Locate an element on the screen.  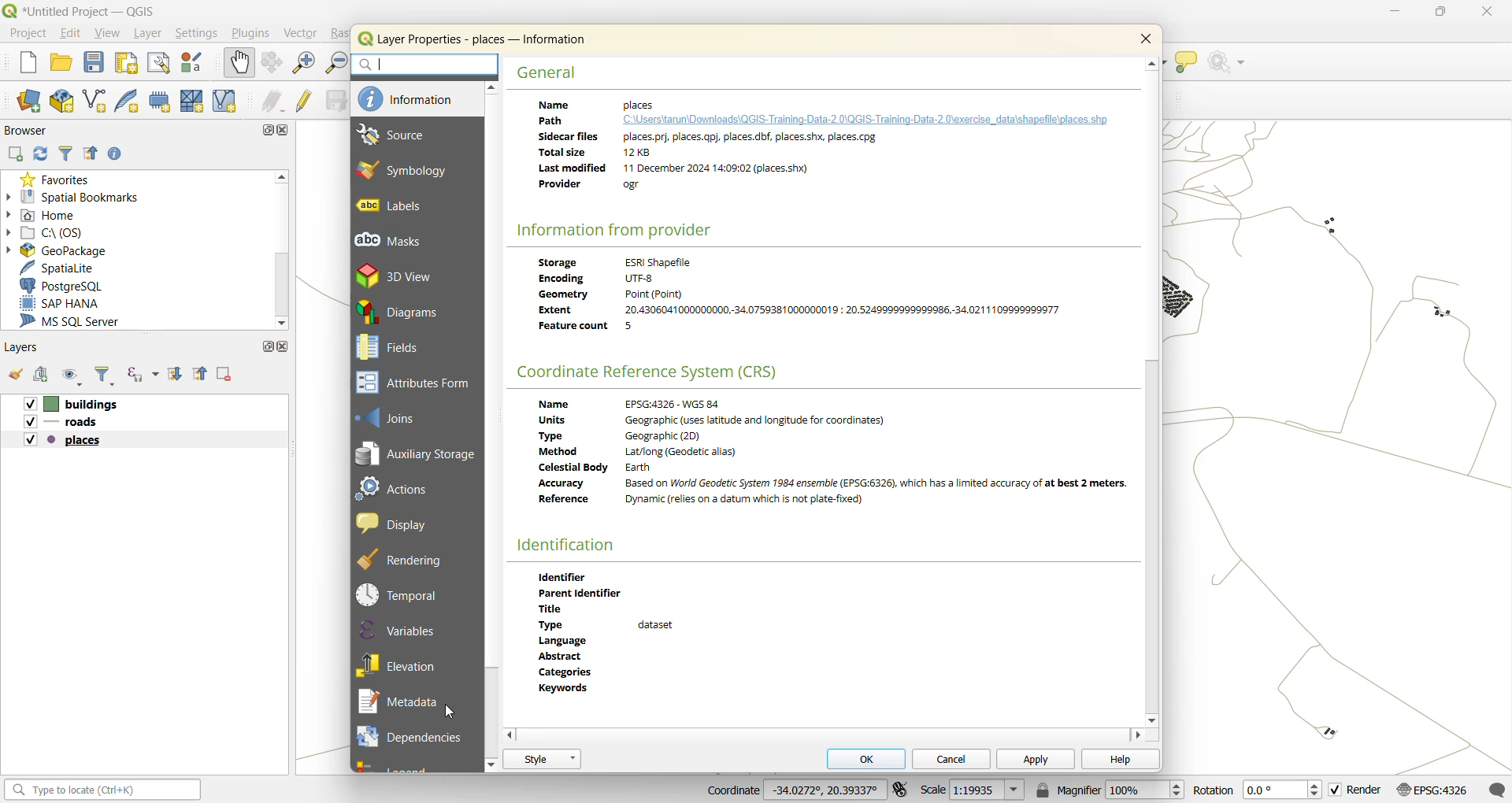
ms sql server is located at coordinates (79, 321).